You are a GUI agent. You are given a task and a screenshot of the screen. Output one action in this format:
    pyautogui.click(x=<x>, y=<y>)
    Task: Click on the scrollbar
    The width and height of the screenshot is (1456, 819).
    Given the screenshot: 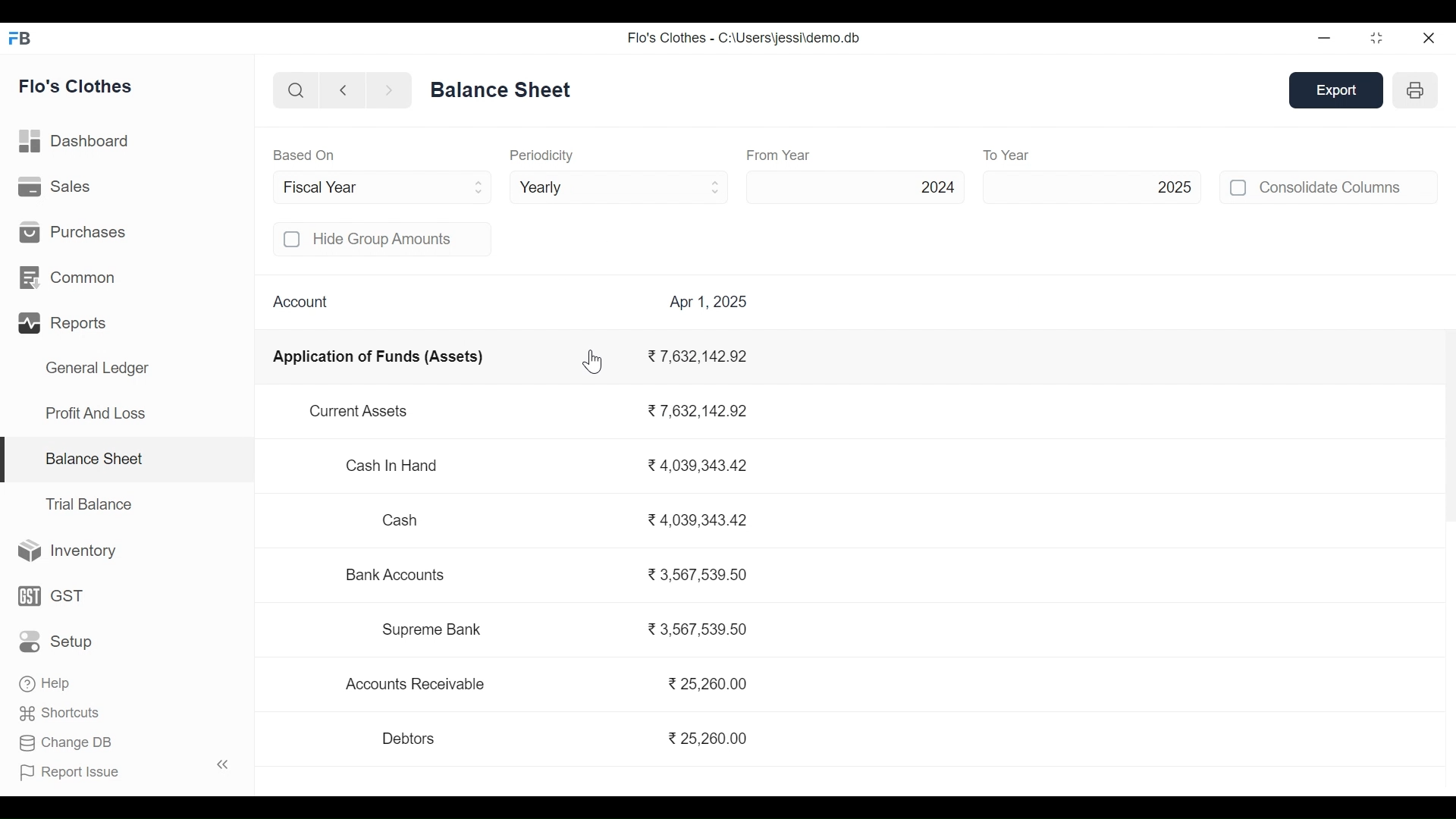 What is the action you would take?
    pyautogui.click(x=1449, y=419)
    